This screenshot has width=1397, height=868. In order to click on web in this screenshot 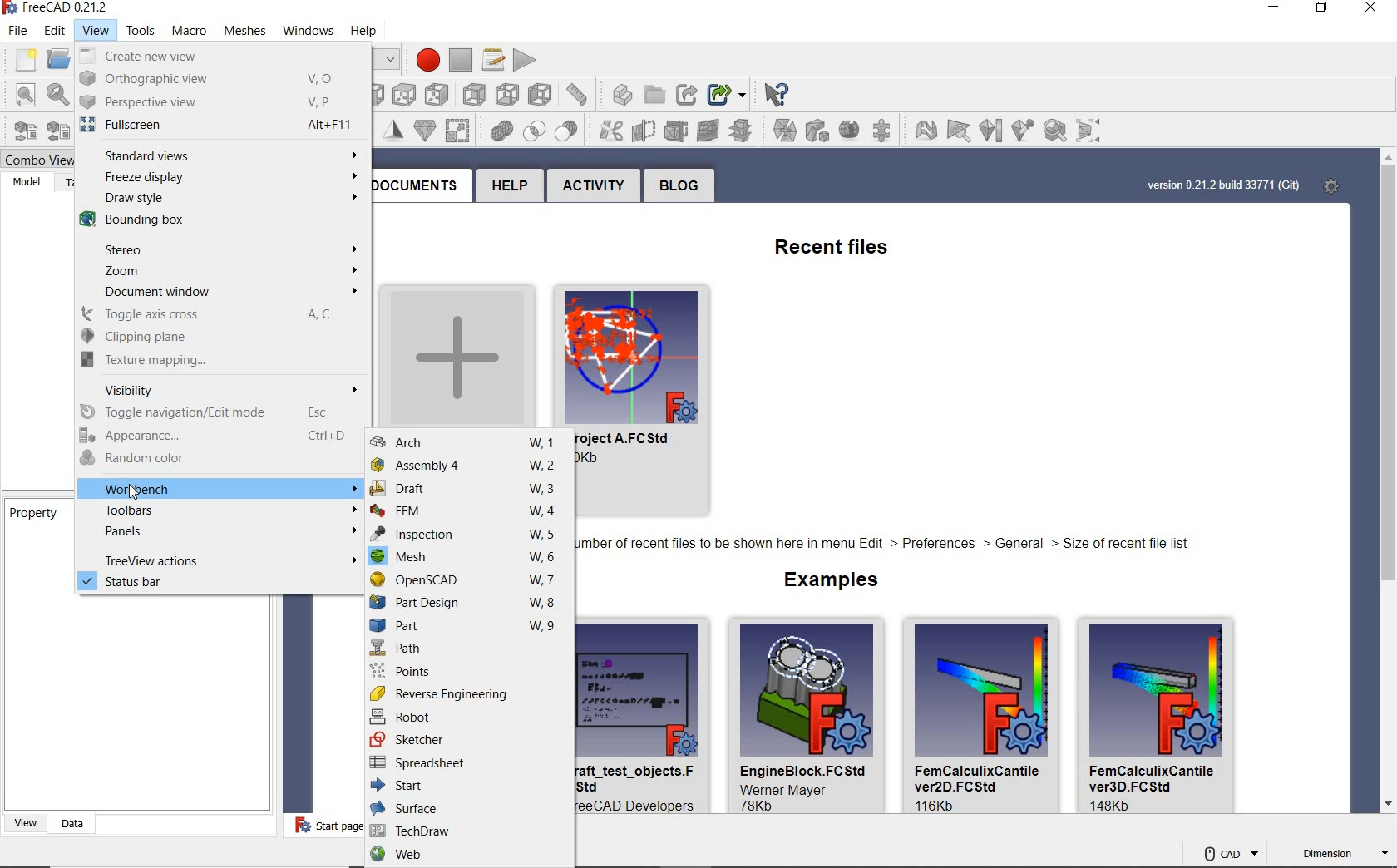, I will do `click(469, 856)`.